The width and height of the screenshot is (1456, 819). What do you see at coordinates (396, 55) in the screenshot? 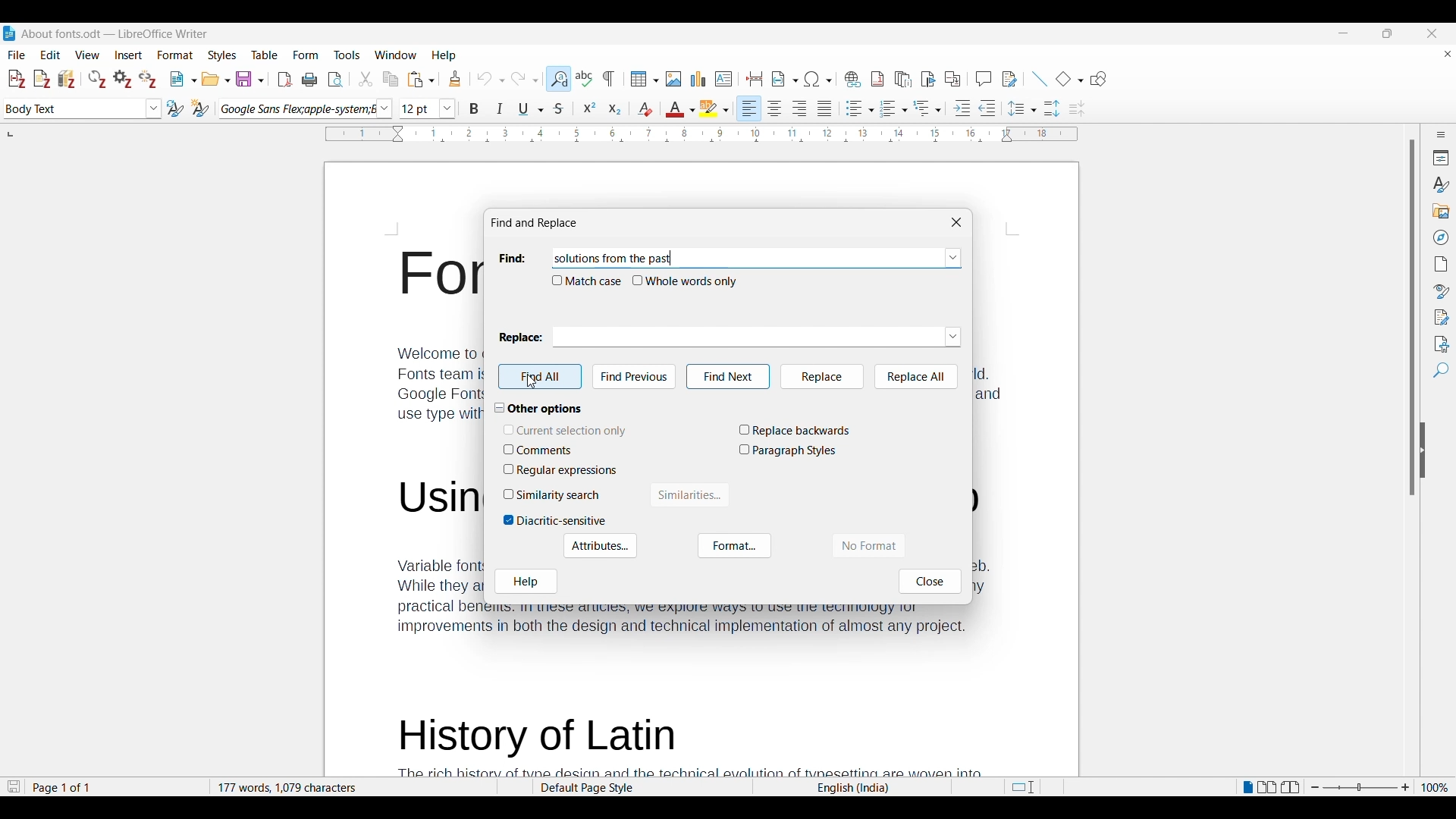
I see `Window menu` at bounding box center [396, 55].